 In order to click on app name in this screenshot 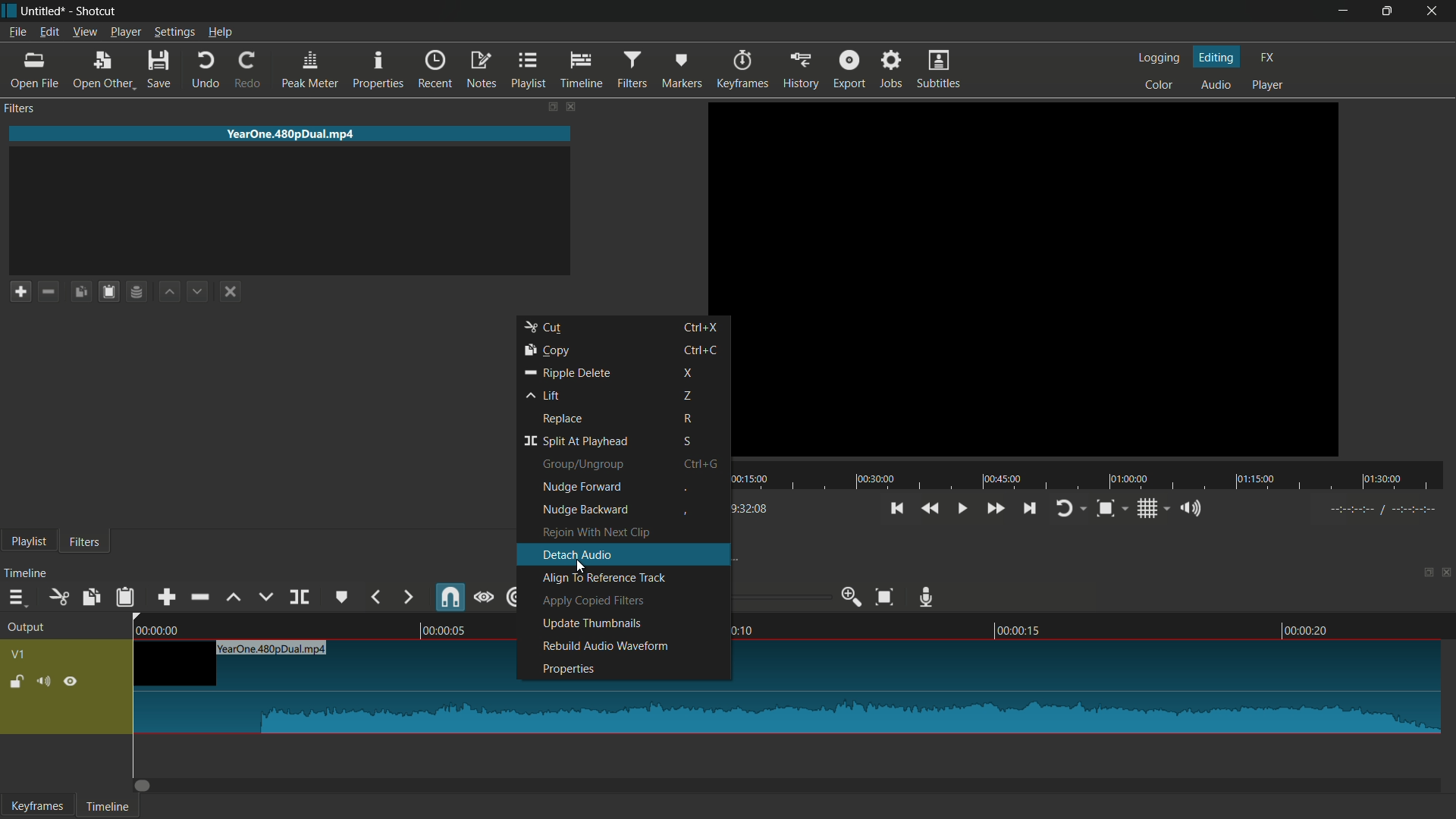, I will do `click(99, 11)`.